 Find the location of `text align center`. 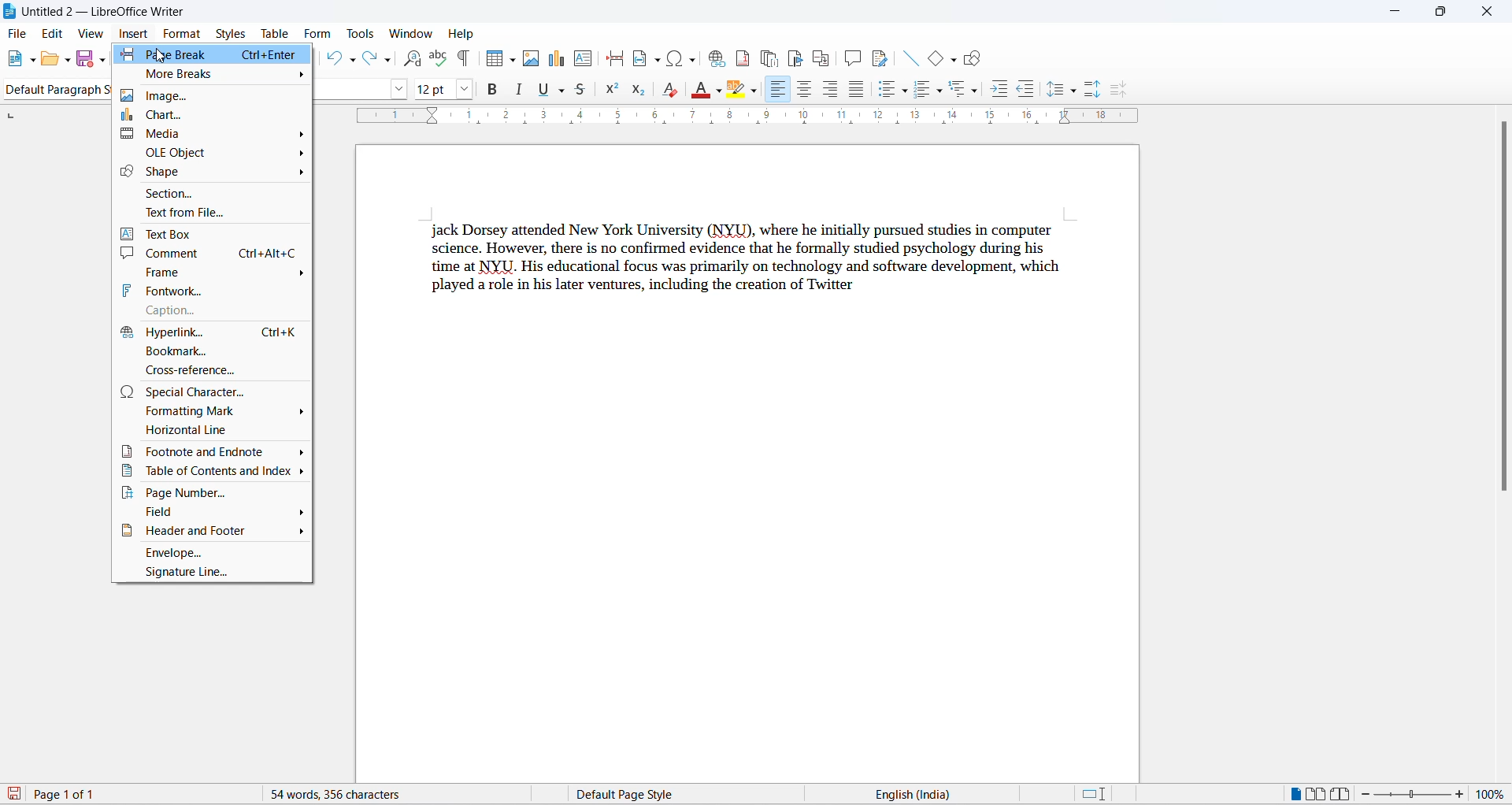

text align center is located at coordinates (802, 88).